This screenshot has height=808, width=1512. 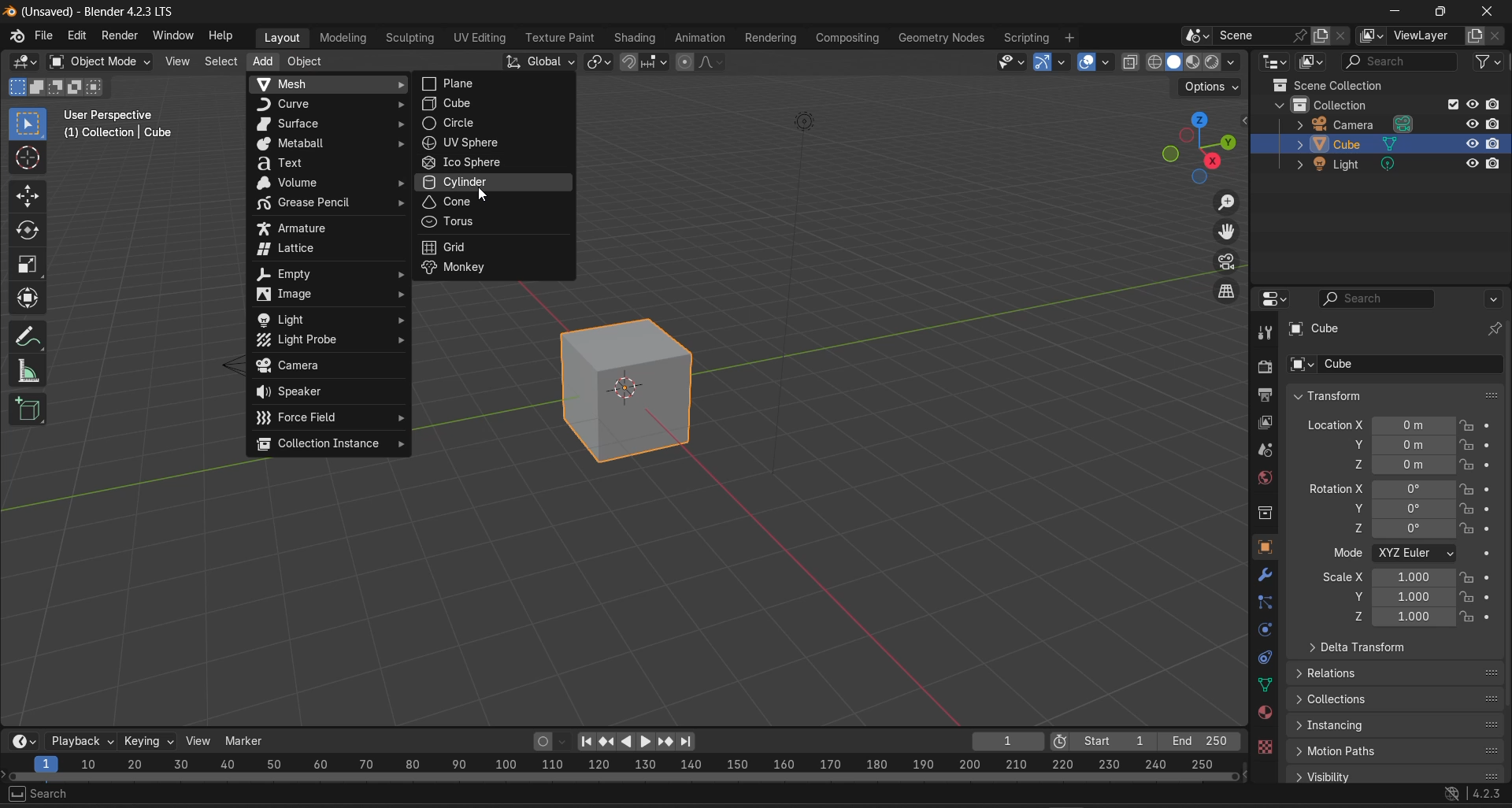 I want to click on editor type, so click(x=1276, y=298).